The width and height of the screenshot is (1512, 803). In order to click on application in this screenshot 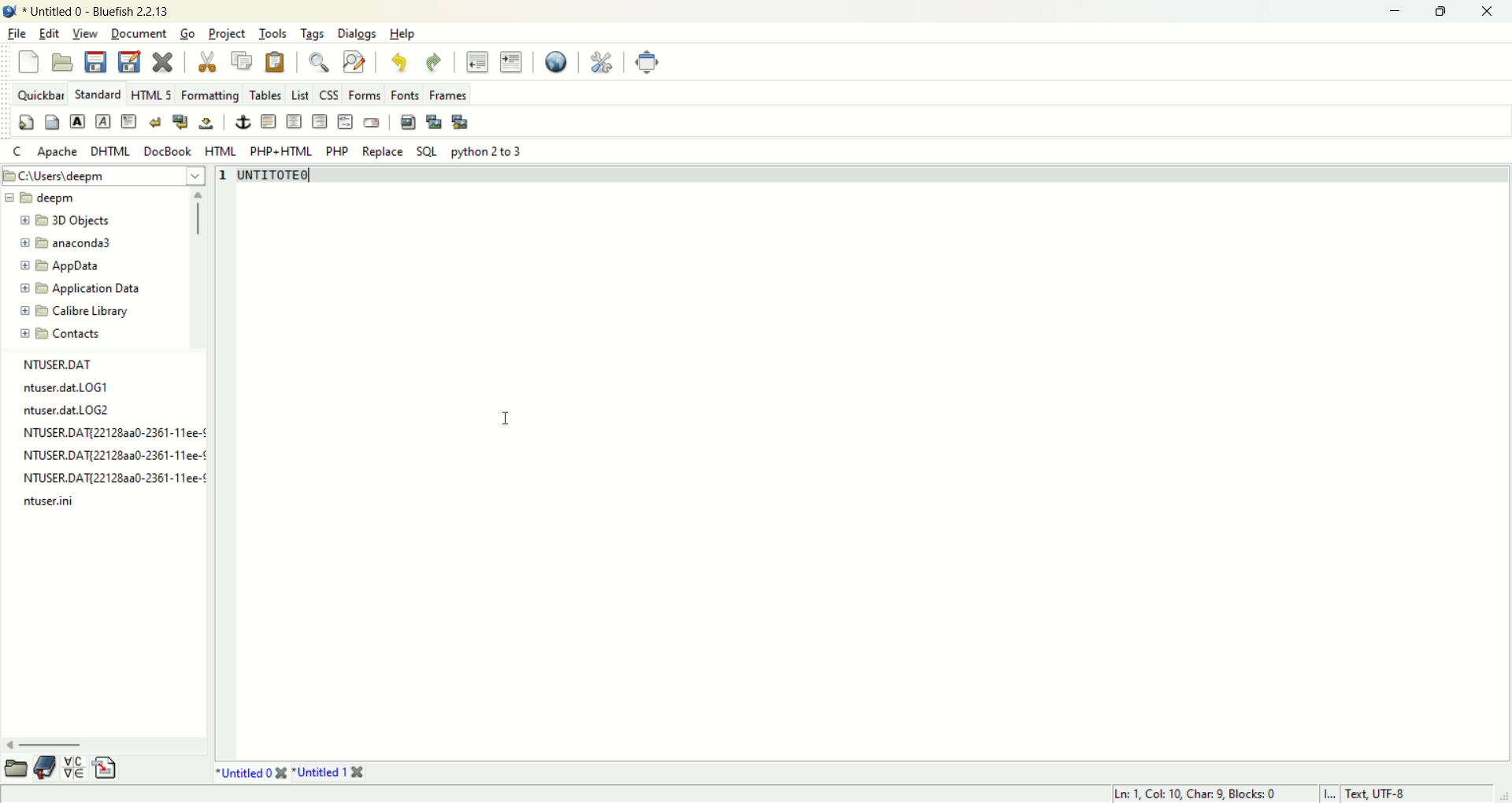, I will do `click(78, 289)`.